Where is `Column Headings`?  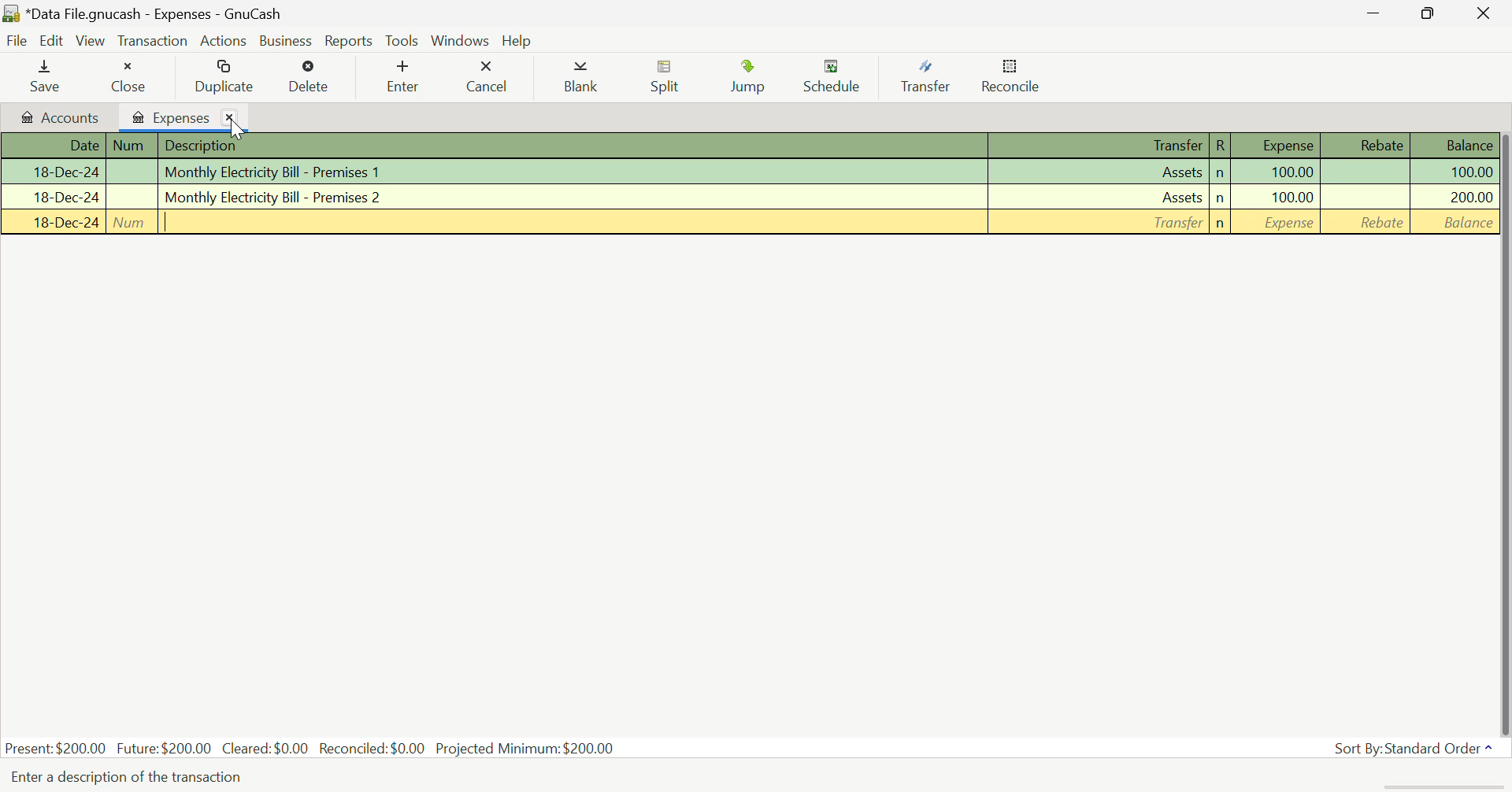 Column Headings is located at coordinates (750, 146).